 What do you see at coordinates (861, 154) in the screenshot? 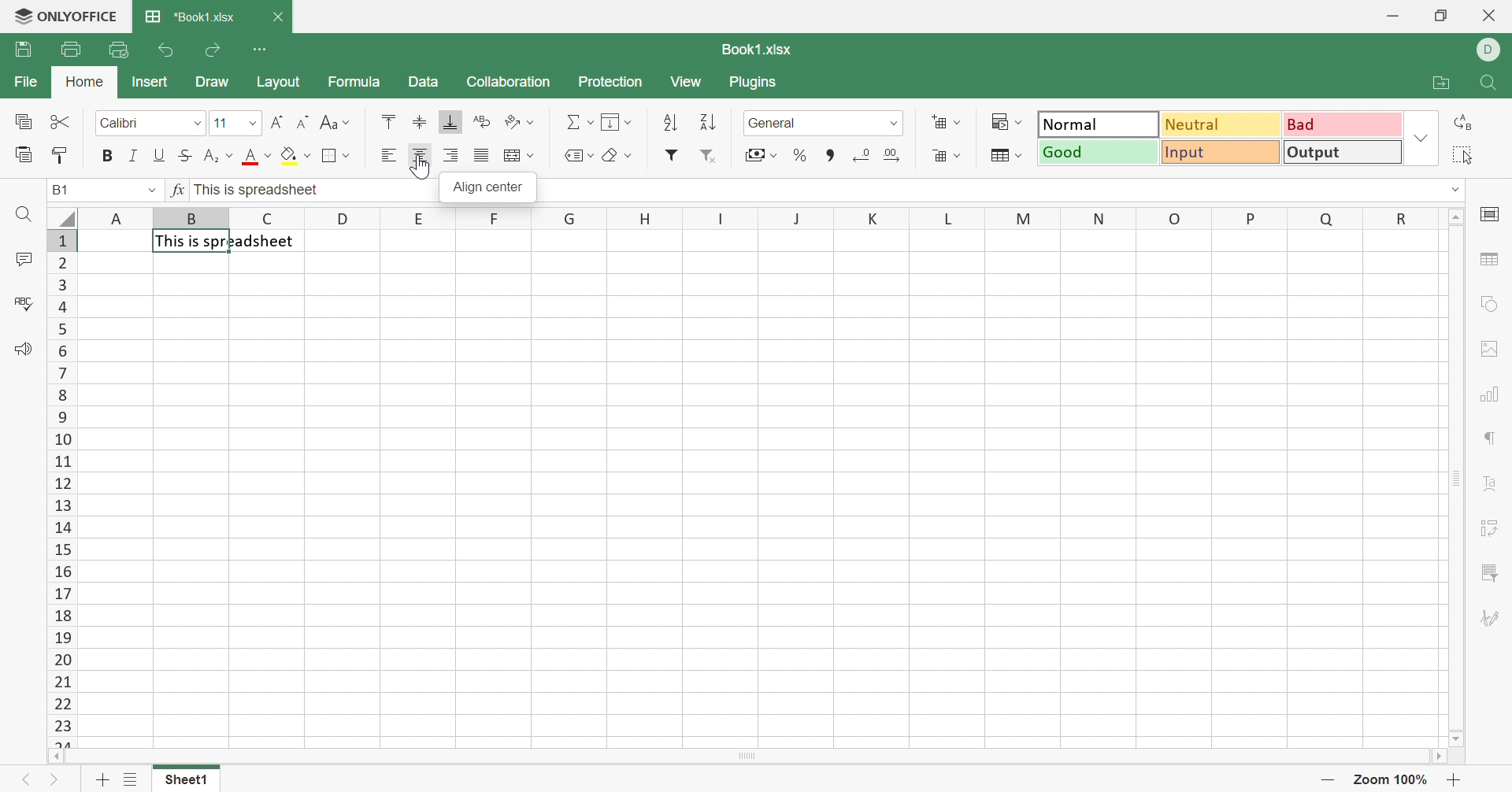
I see `Decrease decimal` at bounding box center [861, 154].